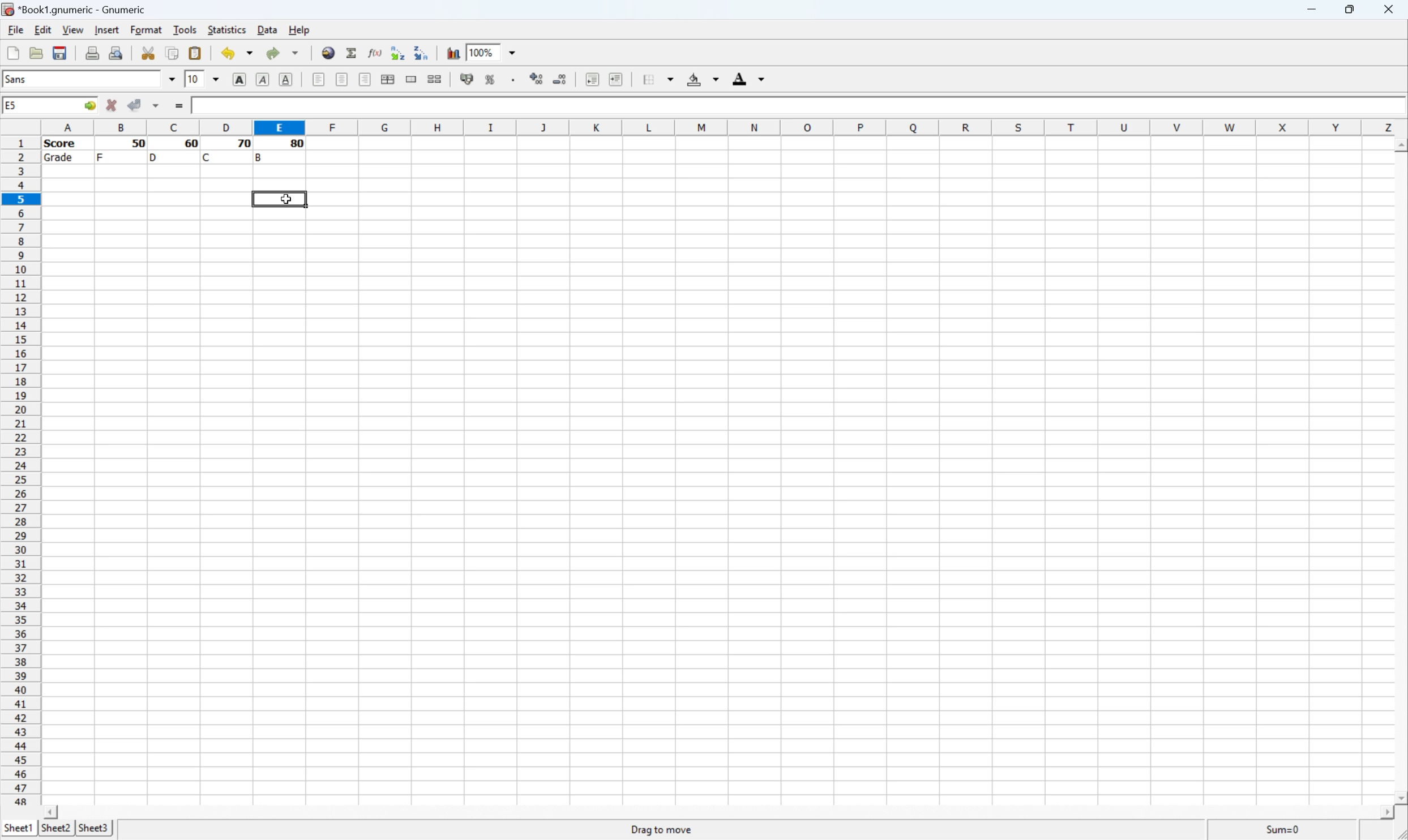  What do you see at coordinates (412, 78) in the screenshot?
I see `Merge a range of cells` at bounding box center [412, 78].